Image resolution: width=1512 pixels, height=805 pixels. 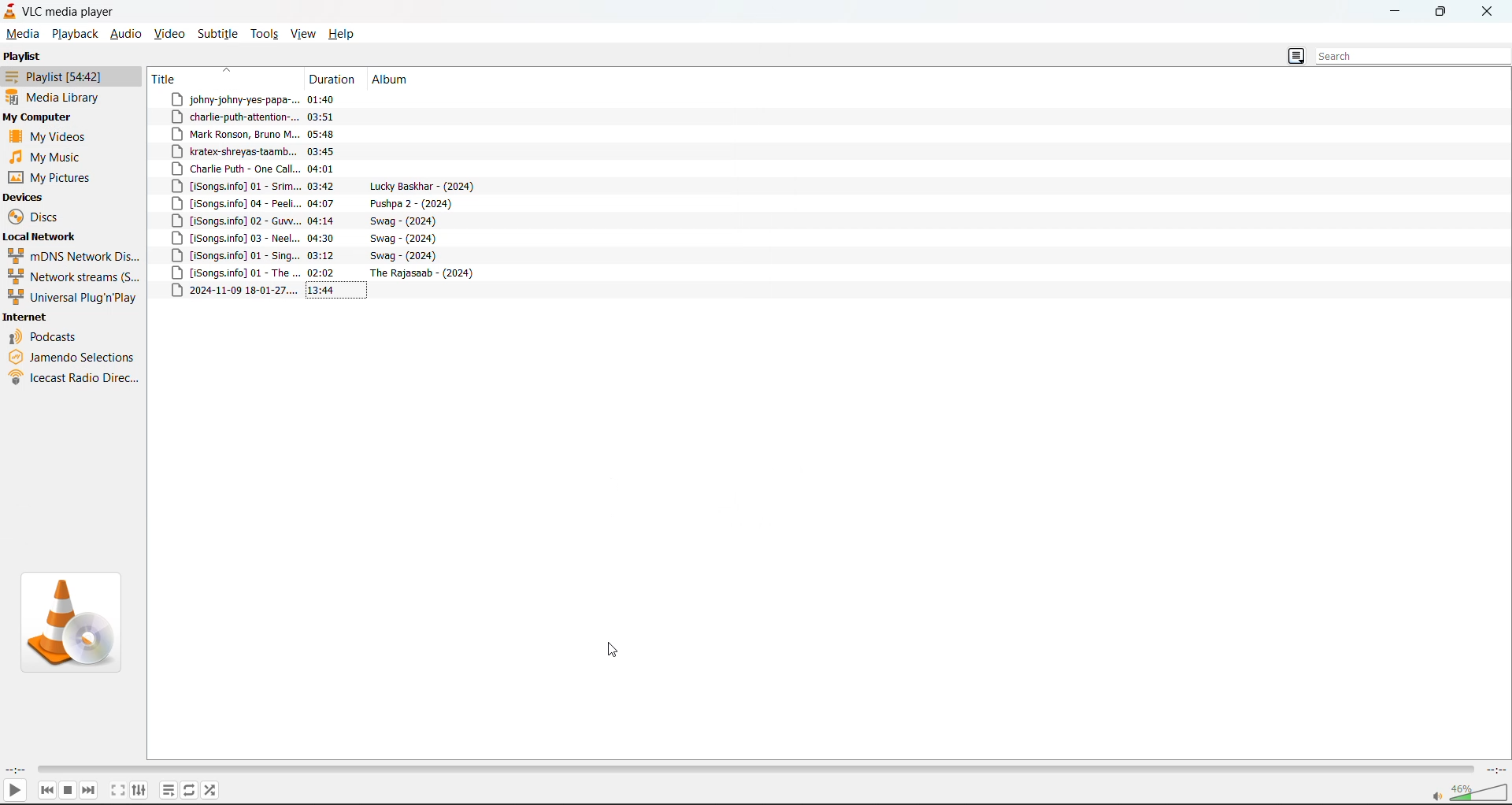 I want to click on album, so click(x=391, y=80).